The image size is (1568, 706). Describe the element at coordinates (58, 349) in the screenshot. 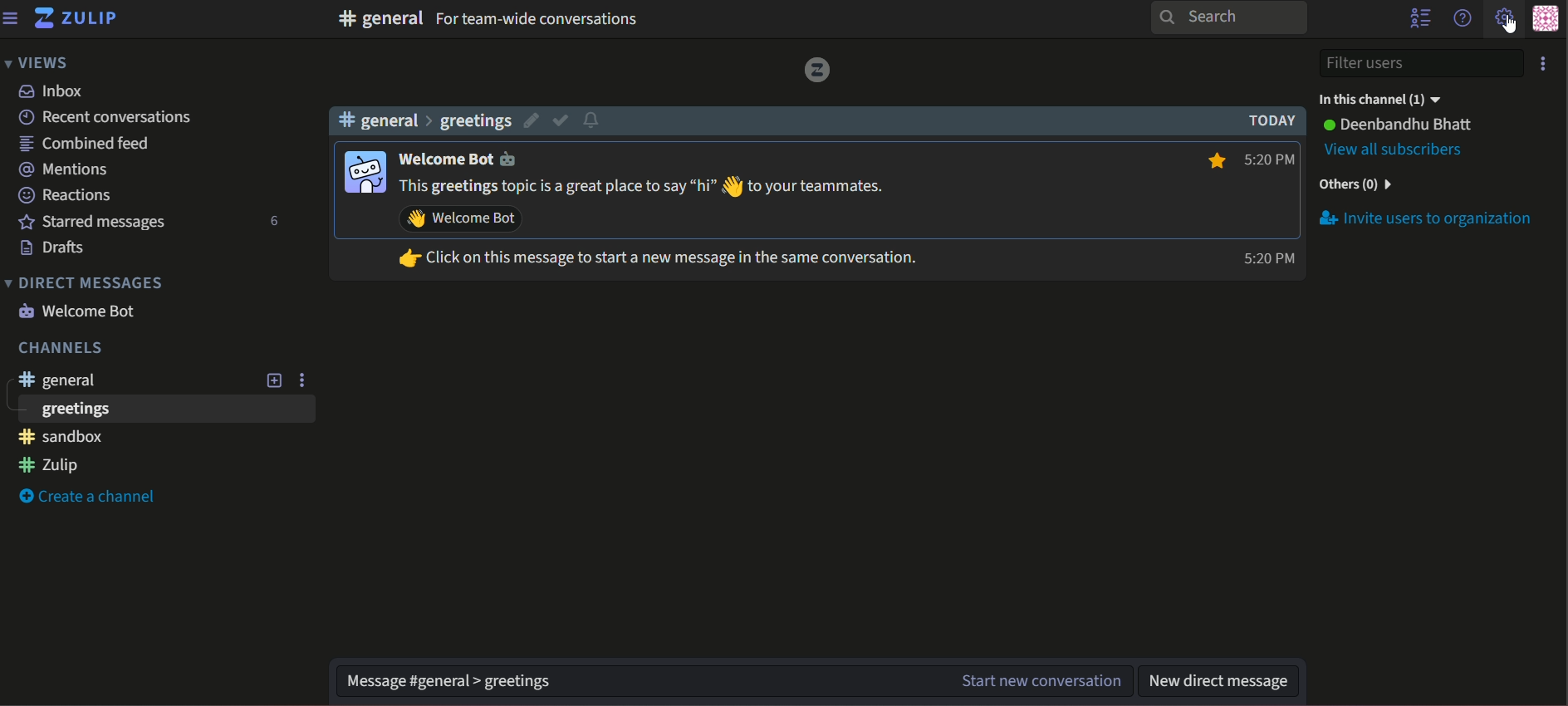

I see `channels` at that location.